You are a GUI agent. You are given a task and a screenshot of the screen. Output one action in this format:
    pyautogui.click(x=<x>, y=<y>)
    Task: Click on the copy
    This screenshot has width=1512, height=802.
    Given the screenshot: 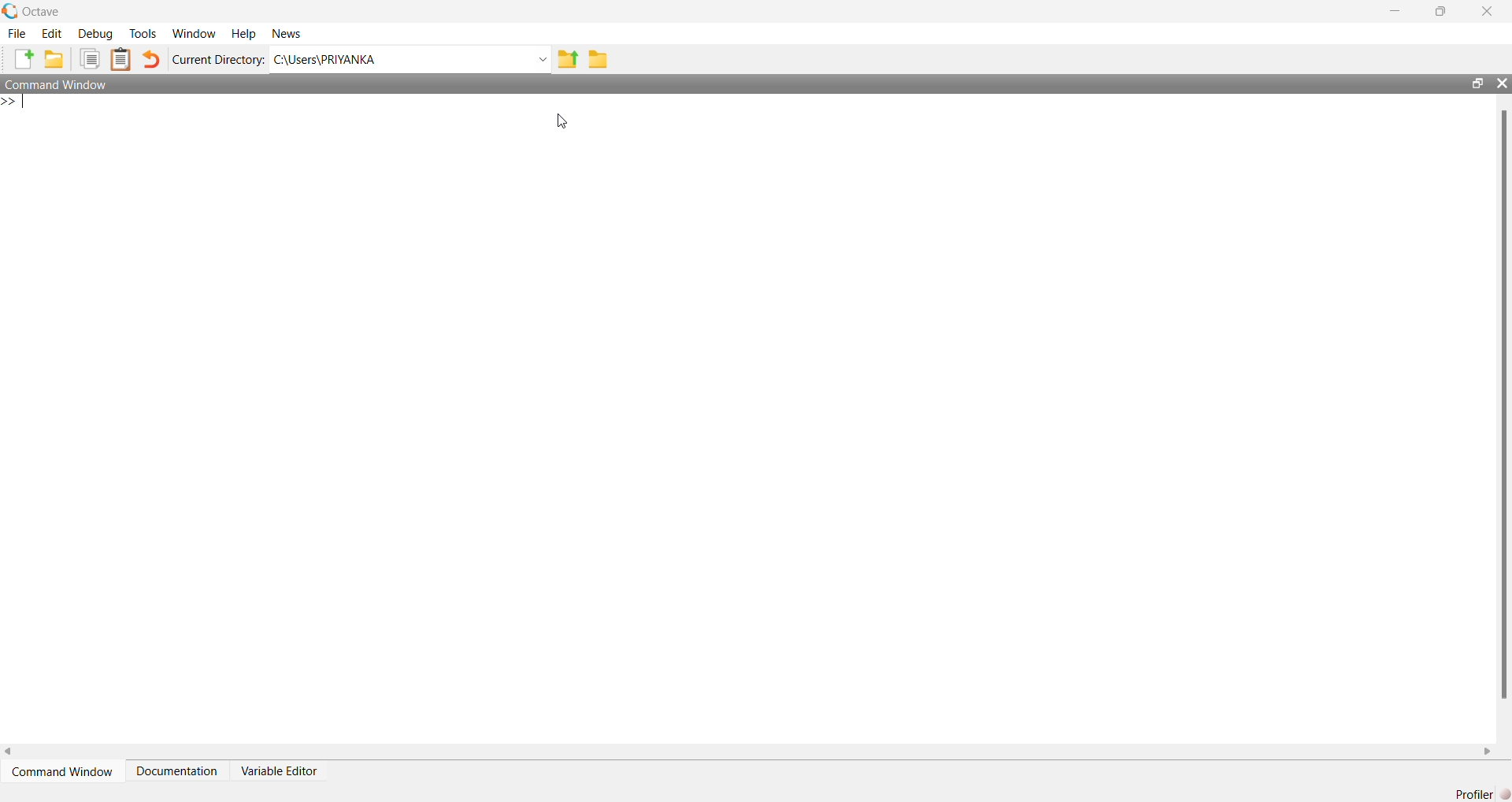 What is the action you would take?
    pyautogui.click(x=89, y=60)
    